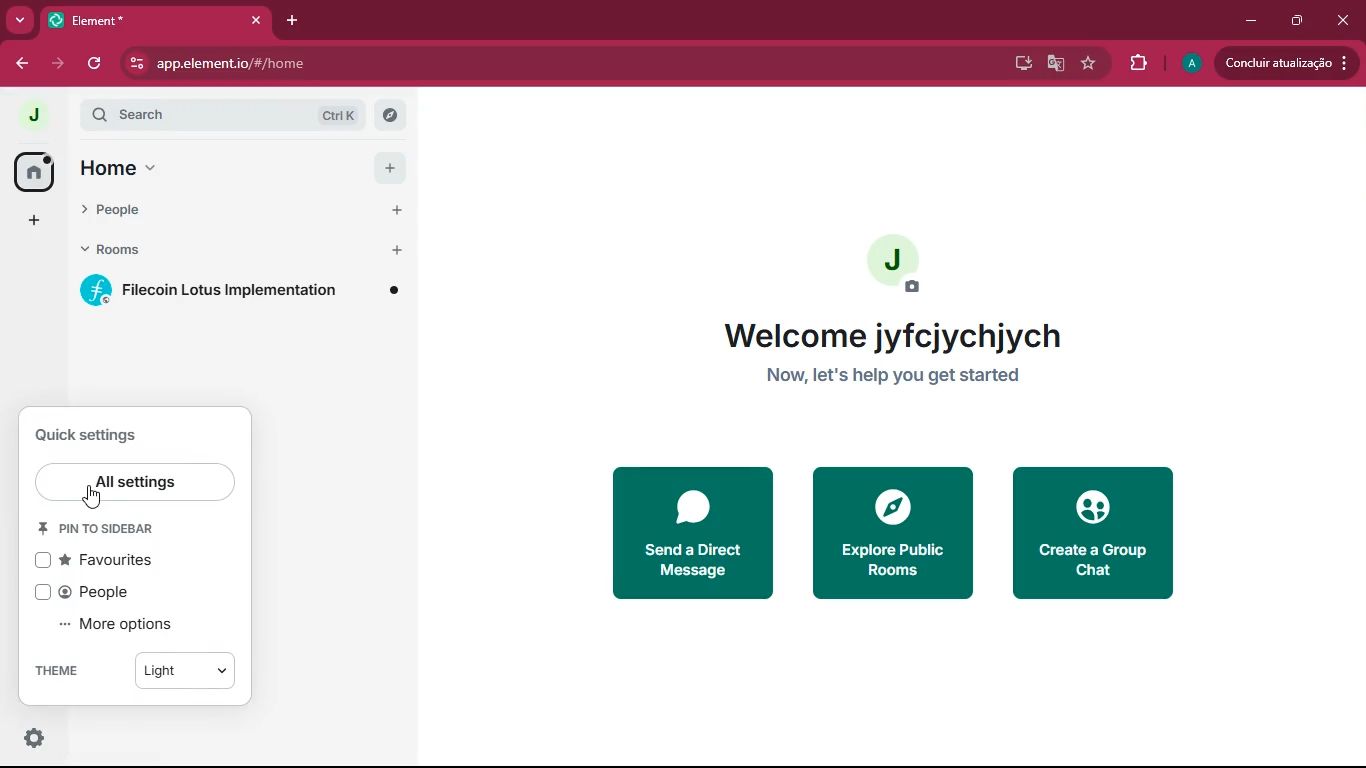  What do you see at coordinates (391, 168) in the screenshot?
I see `add` at bounding box center [391, 168].